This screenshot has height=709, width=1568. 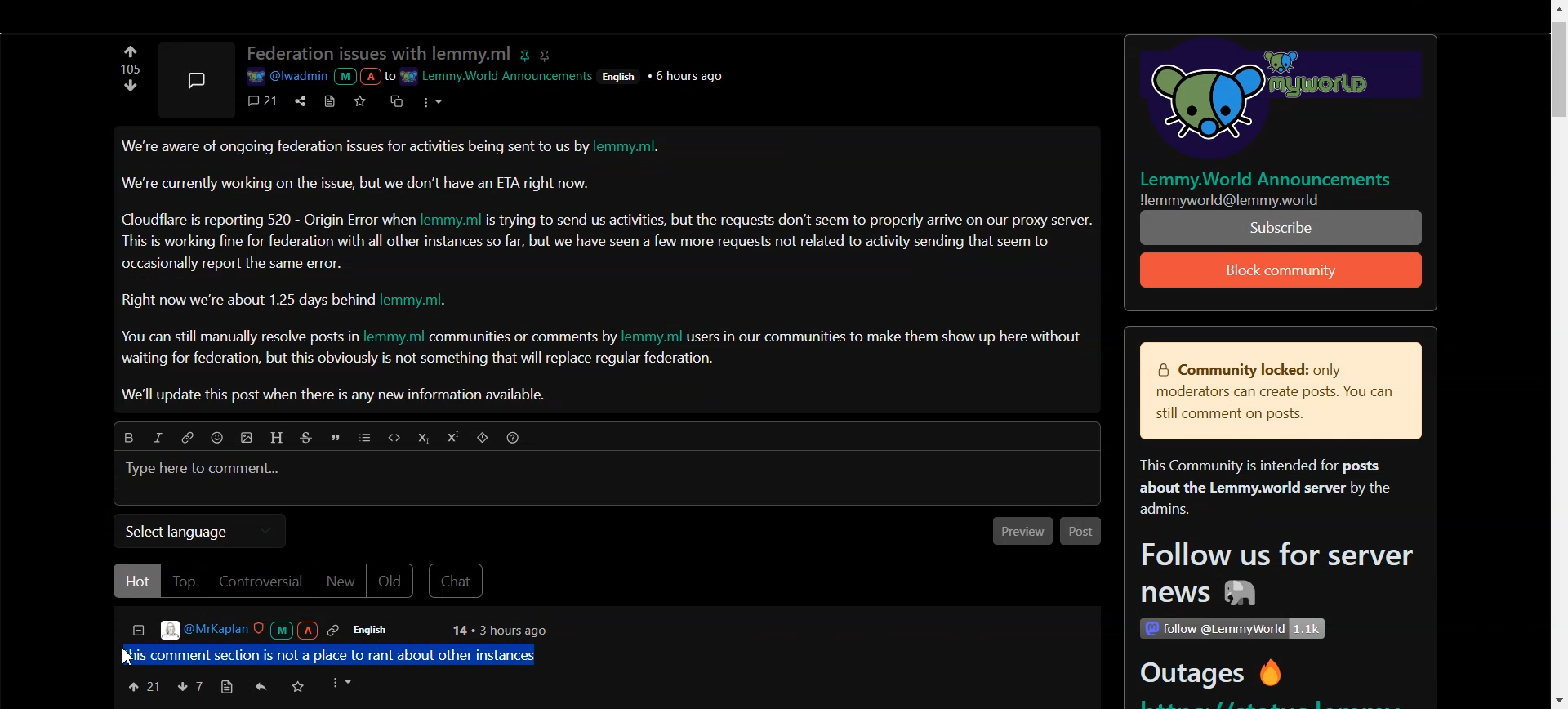 I want to click on This is working fine for federation with all other instances so far, but we have seen a few more requests not related to activity sending that seem to
occasionally report the same error., so click(x=587, y=252).